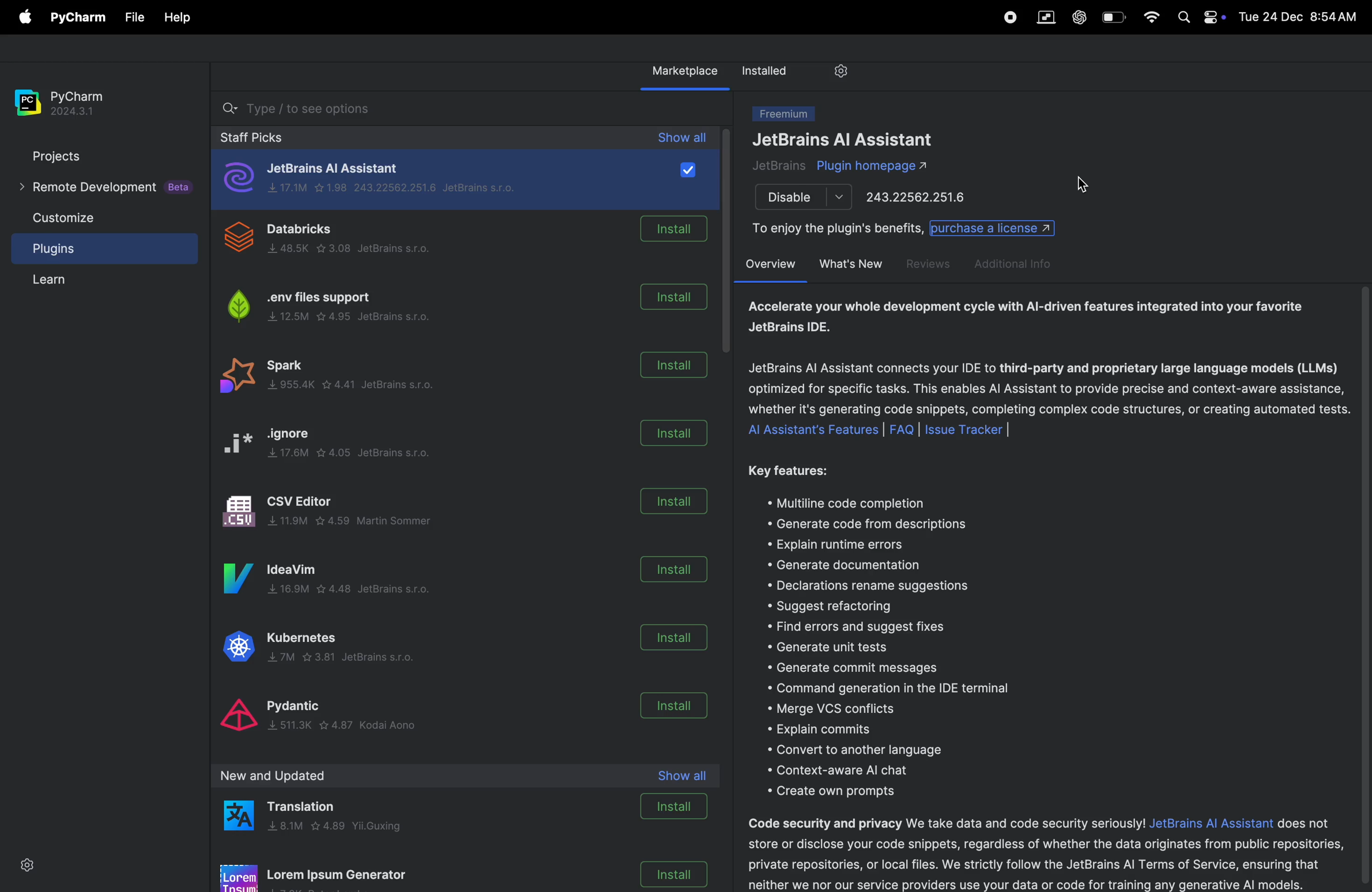  What do you see at coordinates (674, 573) in the screenshot?
I see `install` at bounding box center [674, 573].